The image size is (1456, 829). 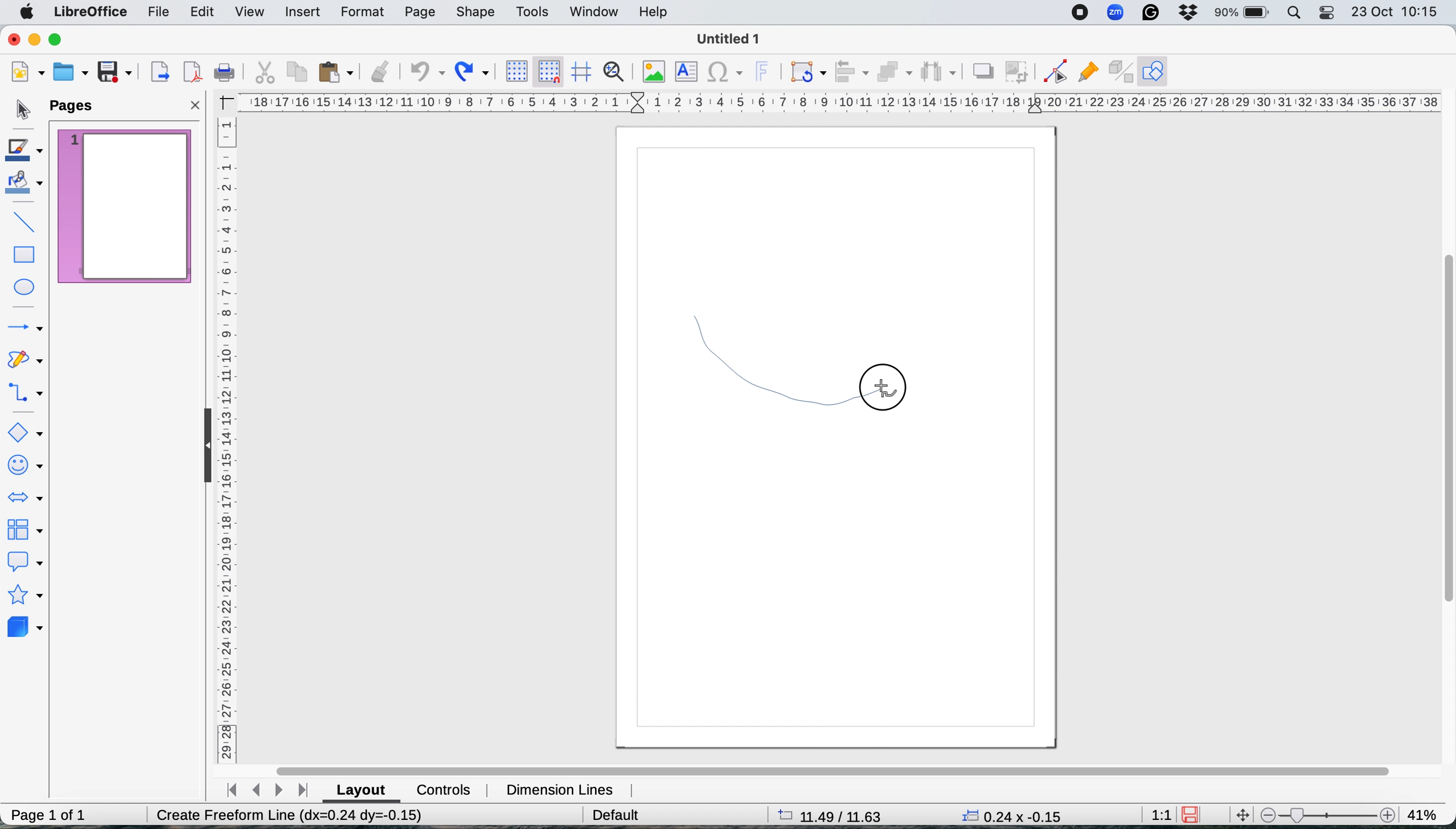 I want to click on copy, so click(x=298, y=72).